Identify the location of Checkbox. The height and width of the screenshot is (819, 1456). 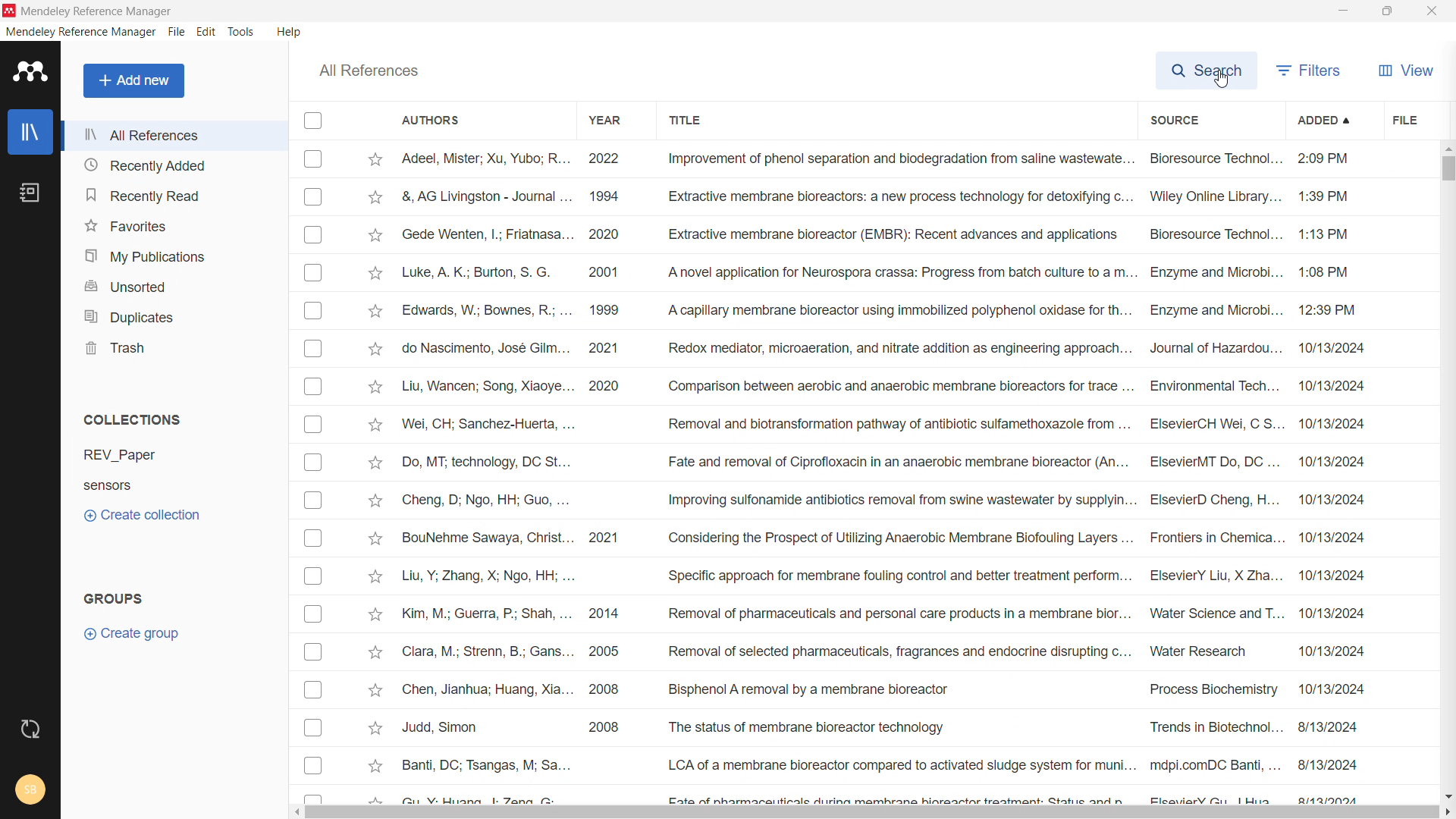
(313, 691).